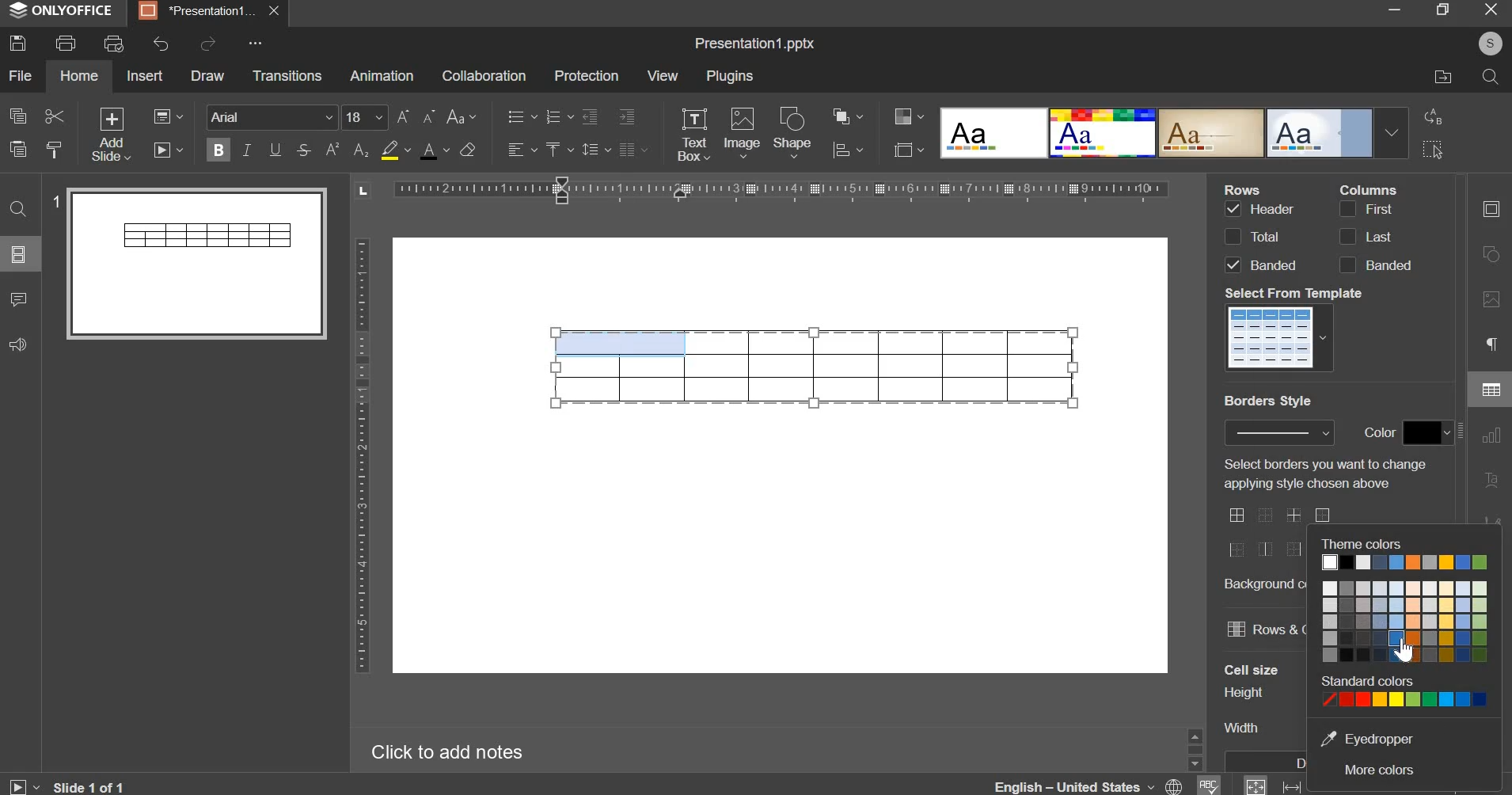  Describe the element at coordinates (218, 147) in the screenshot. I see `bold` at that location.